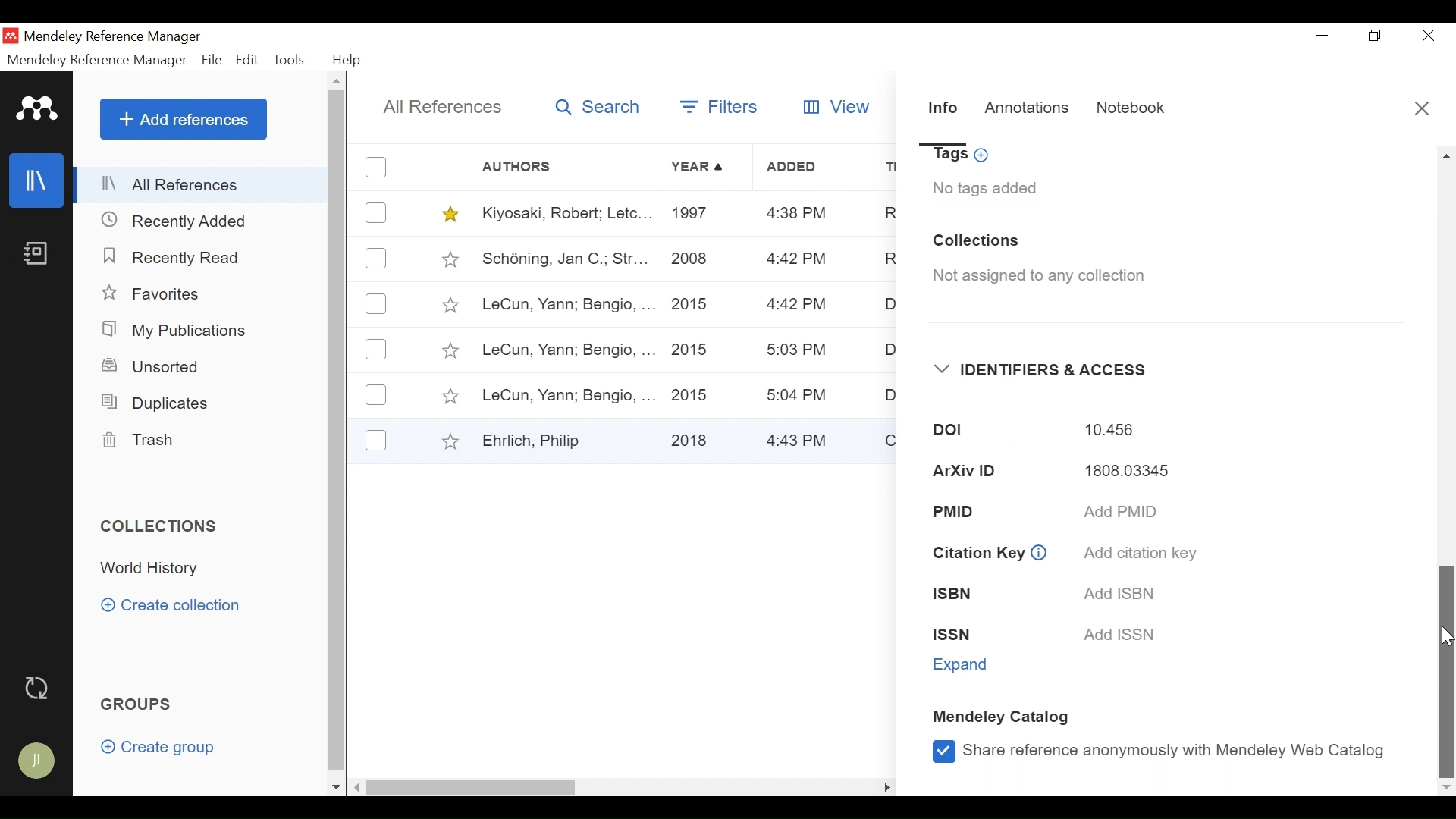 This screenshot has width=1456, height=819. What do you see at coordinates (183, 221) in the screenshot?
I see `Recently Added` at bounding box center [183, 221].